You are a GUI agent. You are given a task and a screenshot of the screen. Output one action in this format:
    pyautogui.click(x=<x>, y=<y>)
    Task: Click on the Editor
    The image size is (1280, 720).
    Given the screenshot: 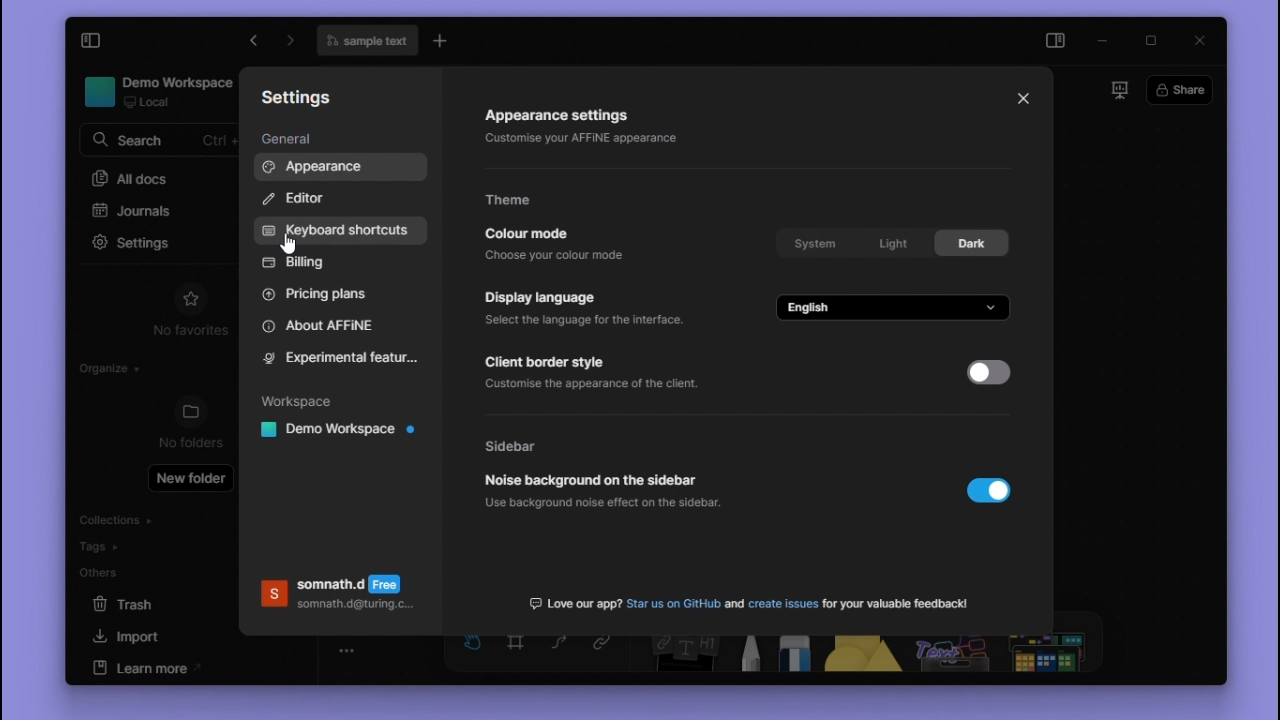 What is the action you would take?
    pyautogui.click(x=301, y=201)
    